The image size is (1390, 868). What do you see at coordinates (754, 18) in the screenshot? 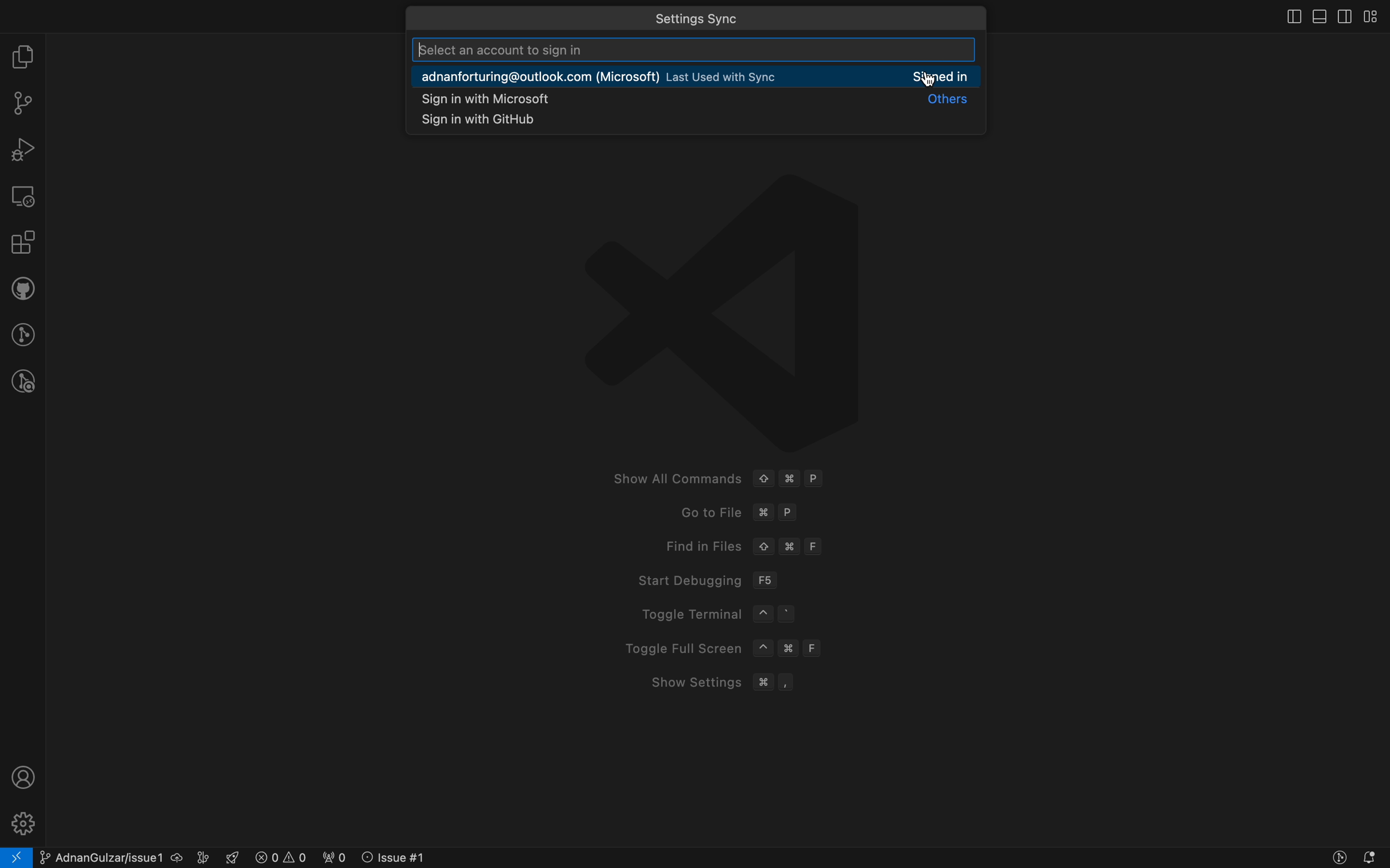
I see `quick menus` at bounding box center [754, 18].